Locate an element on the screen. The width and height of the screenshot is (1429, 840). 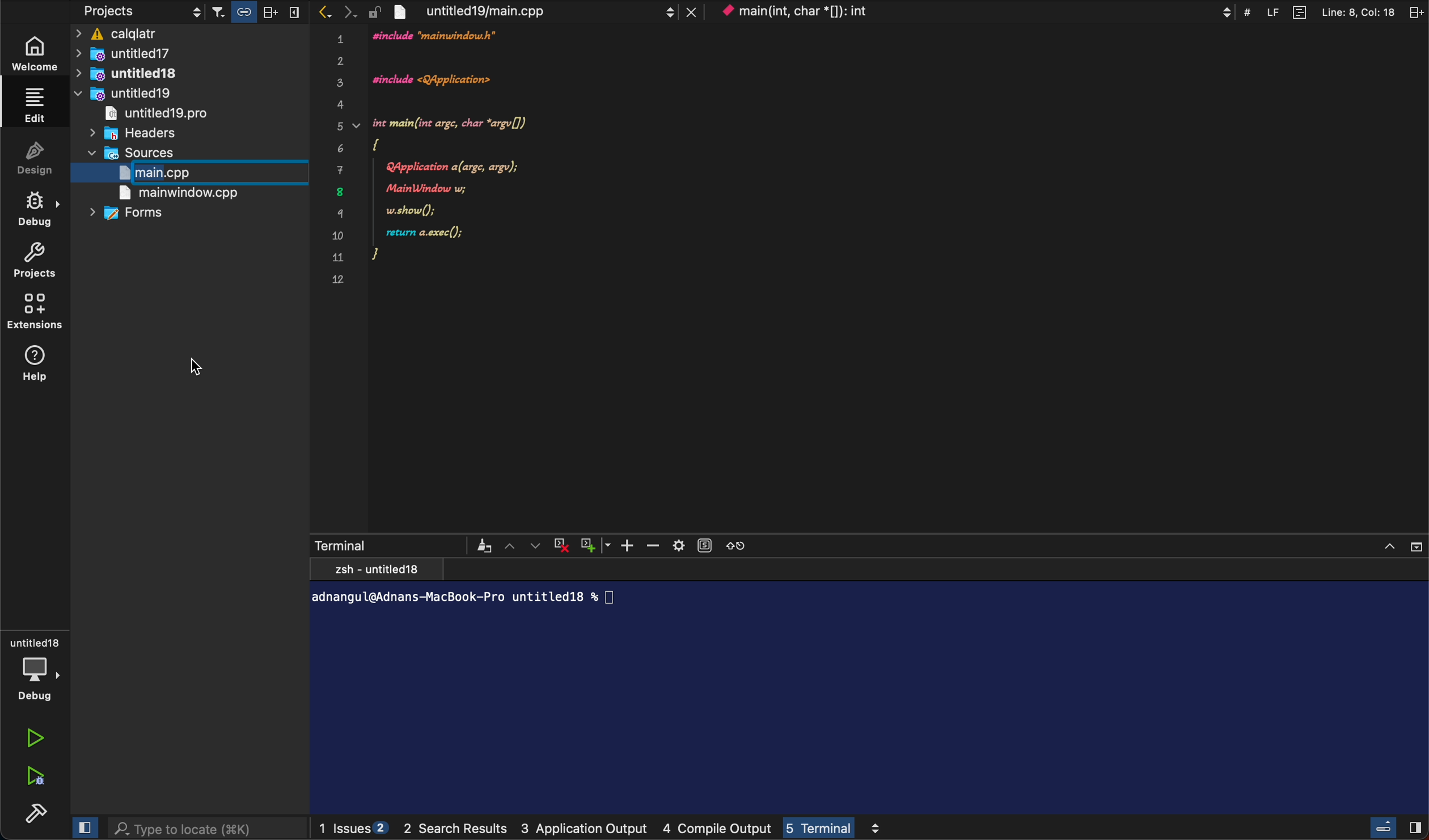
Up is located at coordinates (511, 545).